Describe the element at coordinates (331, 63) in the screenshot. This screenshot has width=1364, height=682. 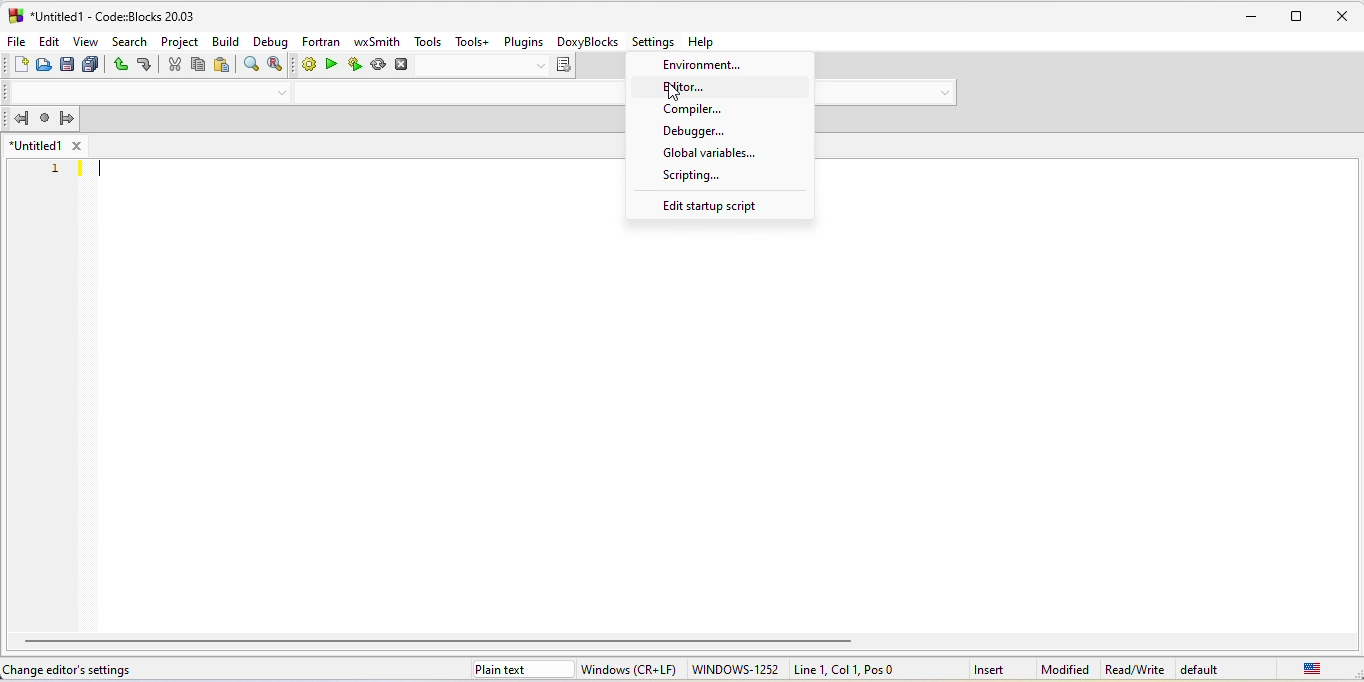
I see `run` at that location.